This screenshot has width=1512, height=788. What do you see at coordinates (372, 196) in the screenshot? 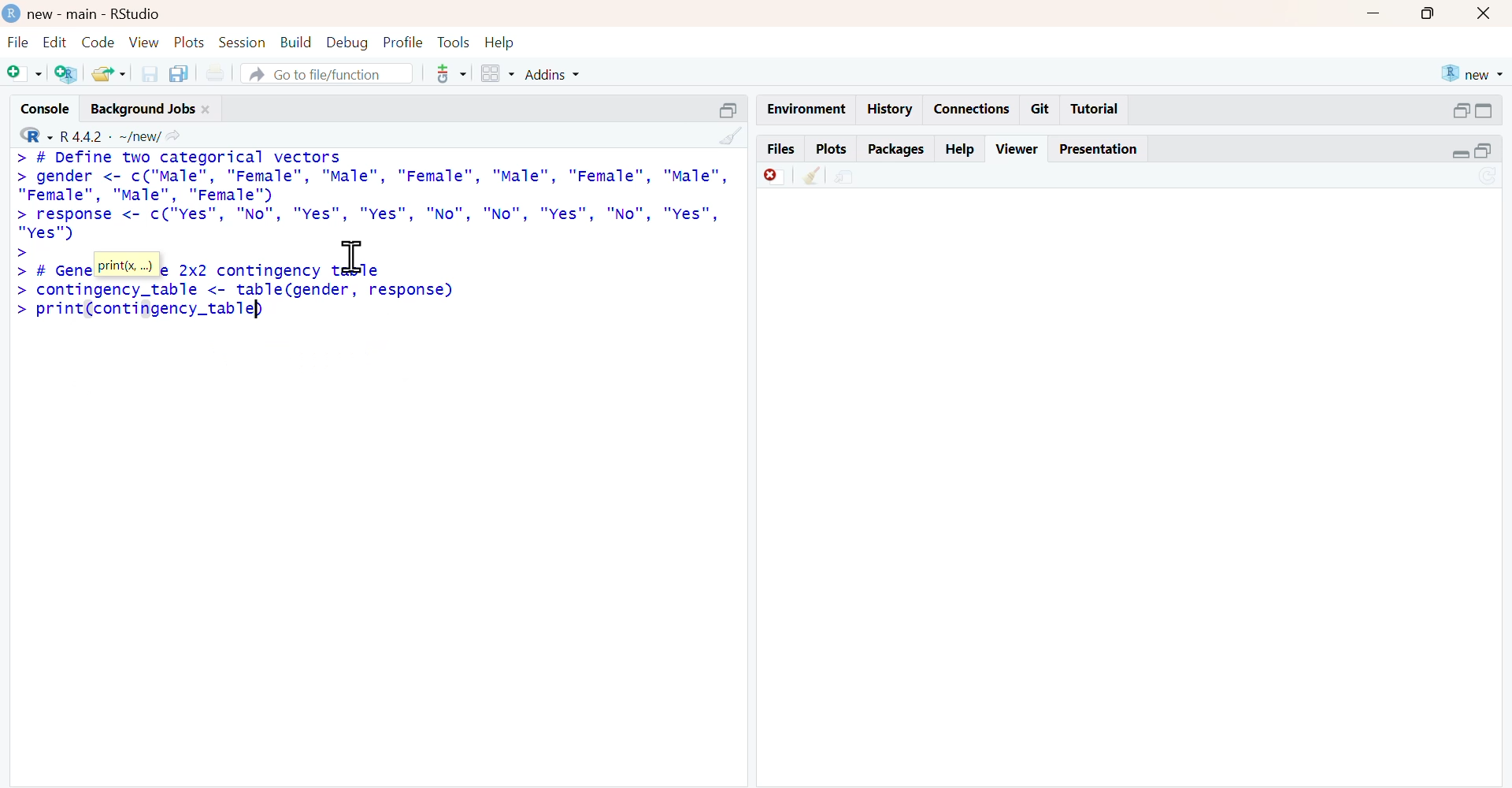
I see `> # Define two categorical vectors> gender <- c("Male", "Female", "Male", "Female", "Male", "Female", "Male","Female", "Male", "Female")> response <- c("Yes", "No", "ves", "Yes", "No", "No", "Yes", "No", "ves","Yes"` at bounding box center [372, 196].